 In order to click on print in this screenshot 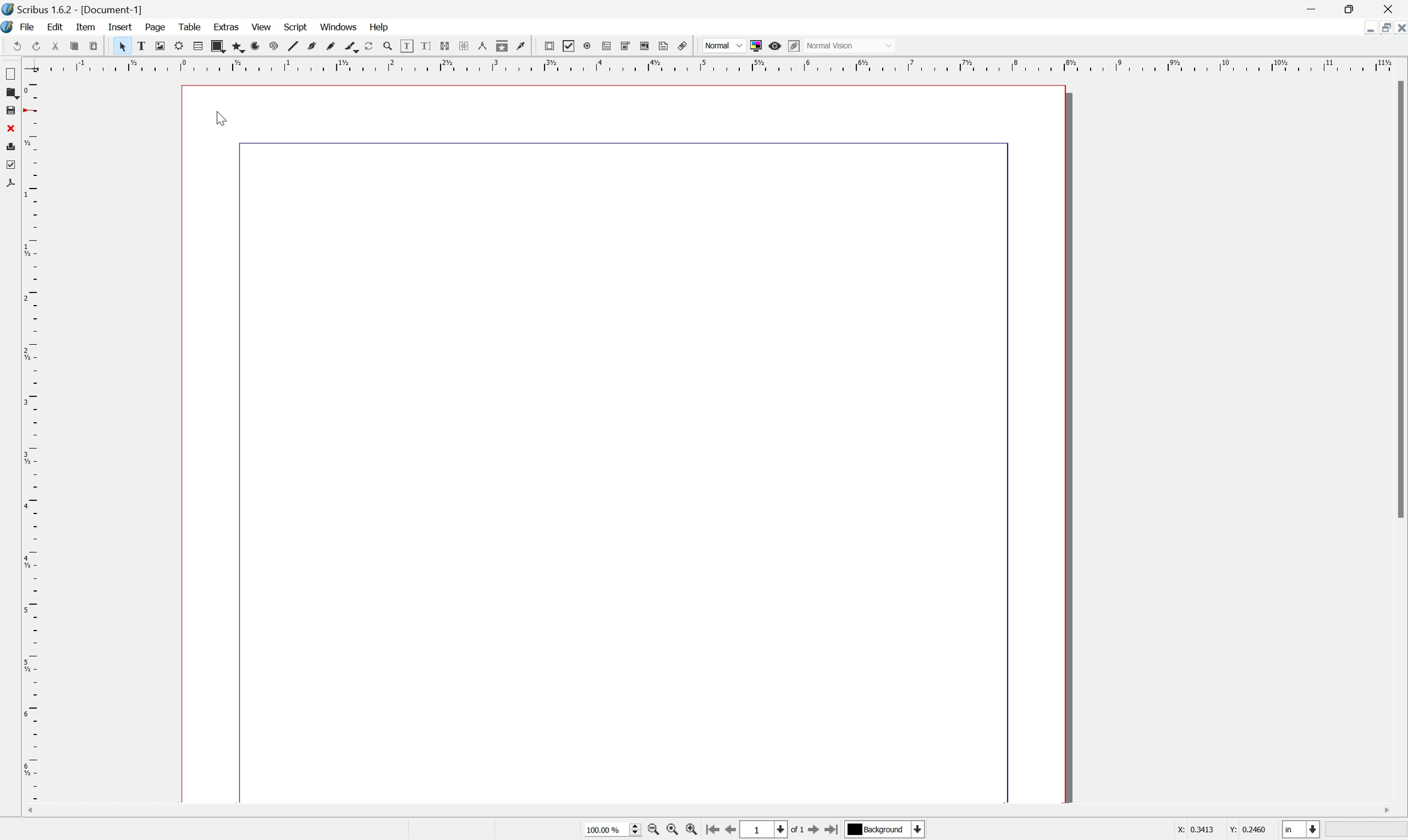, I will do `click(15, 145)`.